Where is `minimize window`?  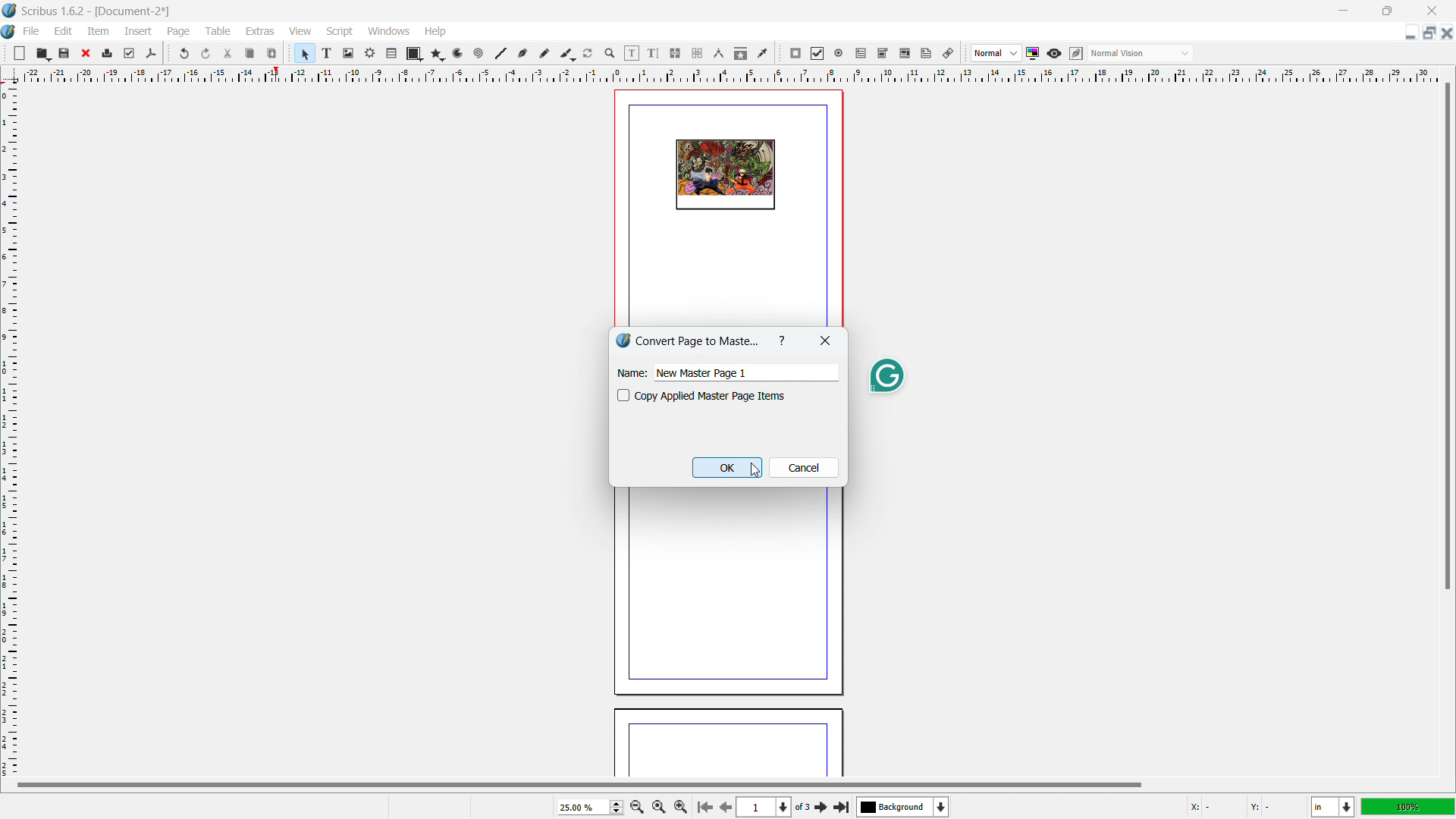
minimize window is located at coordinates (1341, 11).